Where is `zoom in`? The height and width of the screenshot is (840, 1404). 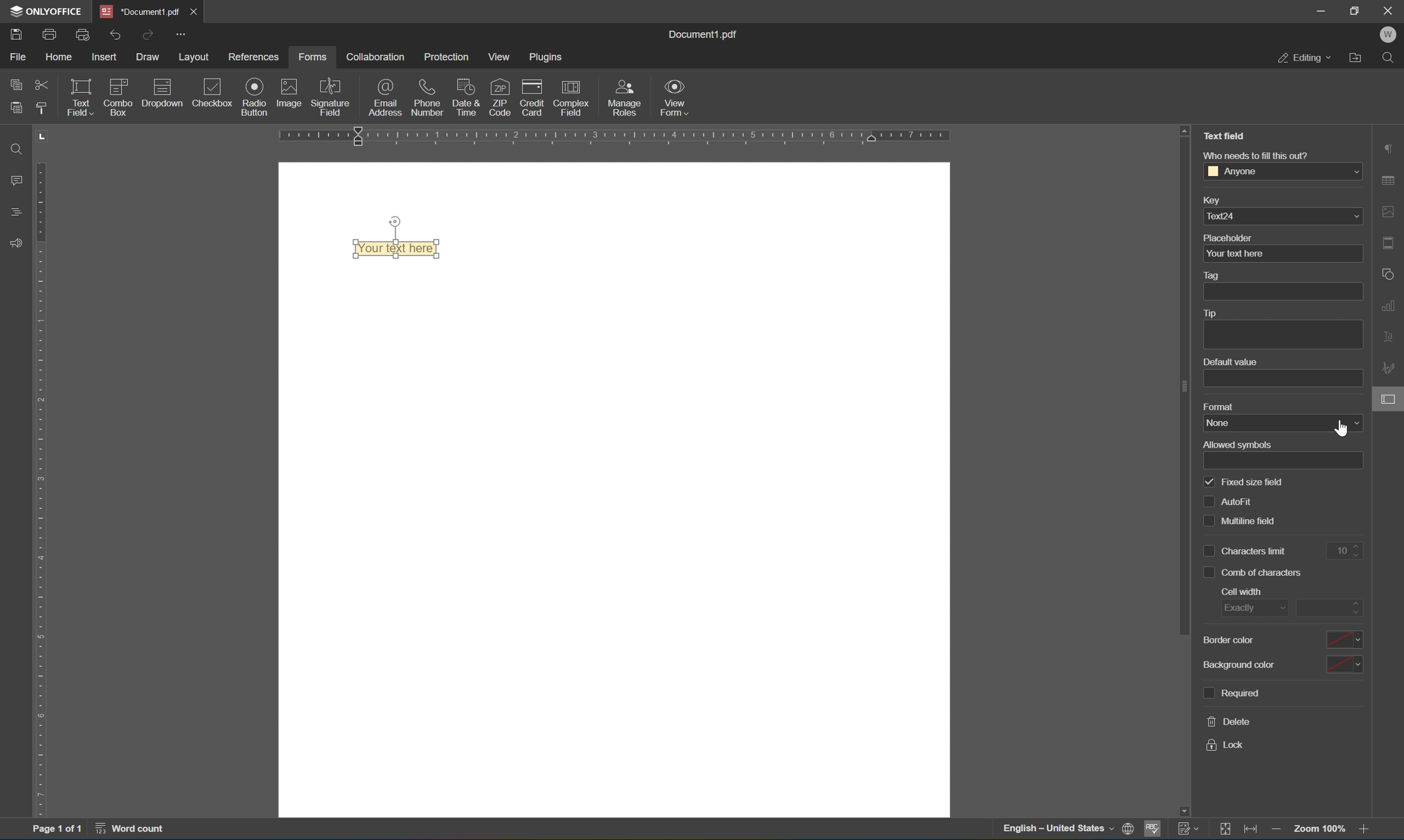 zoom in is located at coordinates (1368, 830).